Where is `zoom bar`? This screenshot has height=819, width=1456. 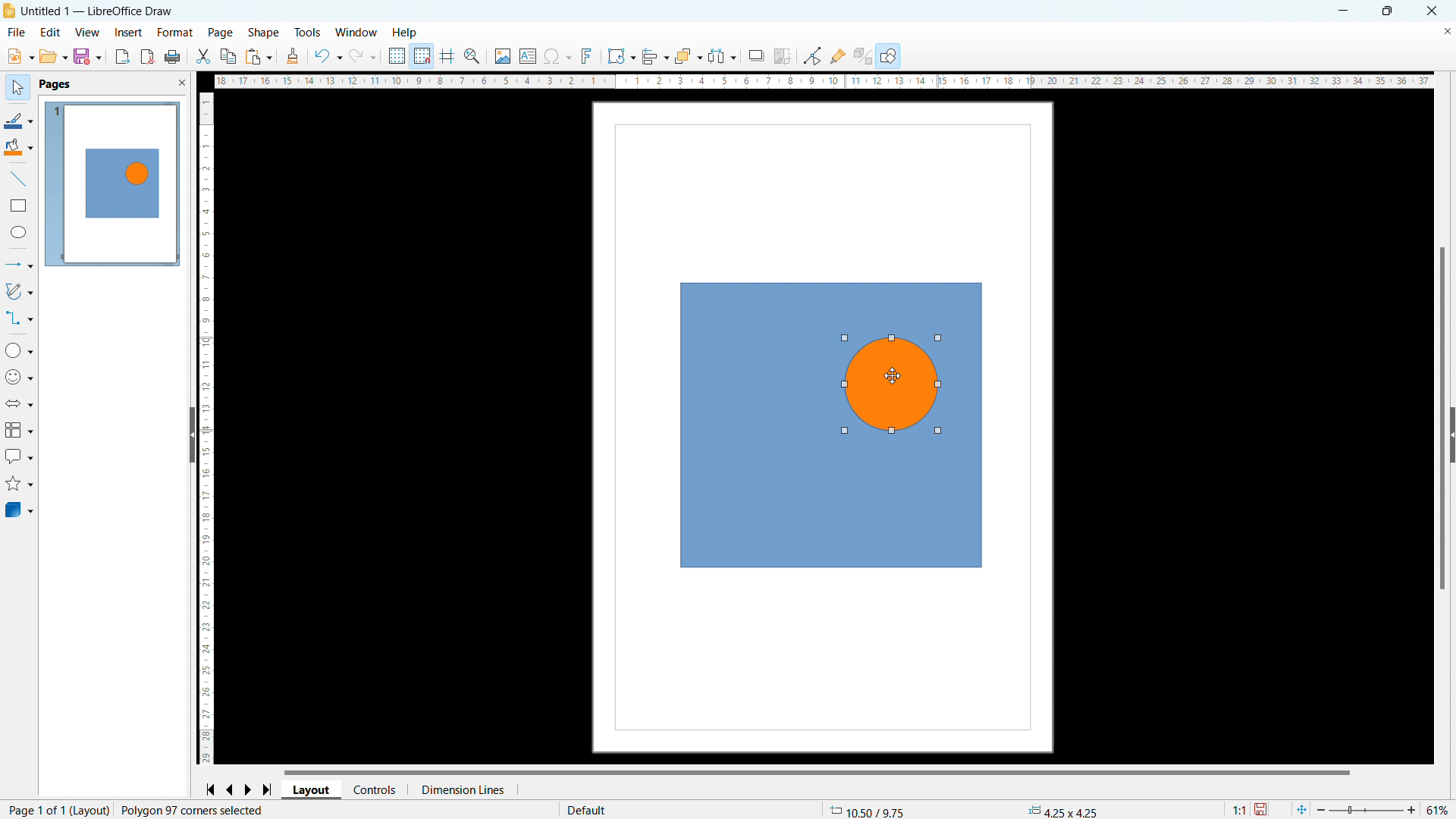 zoom bar is located at coordinates (1367, 808).